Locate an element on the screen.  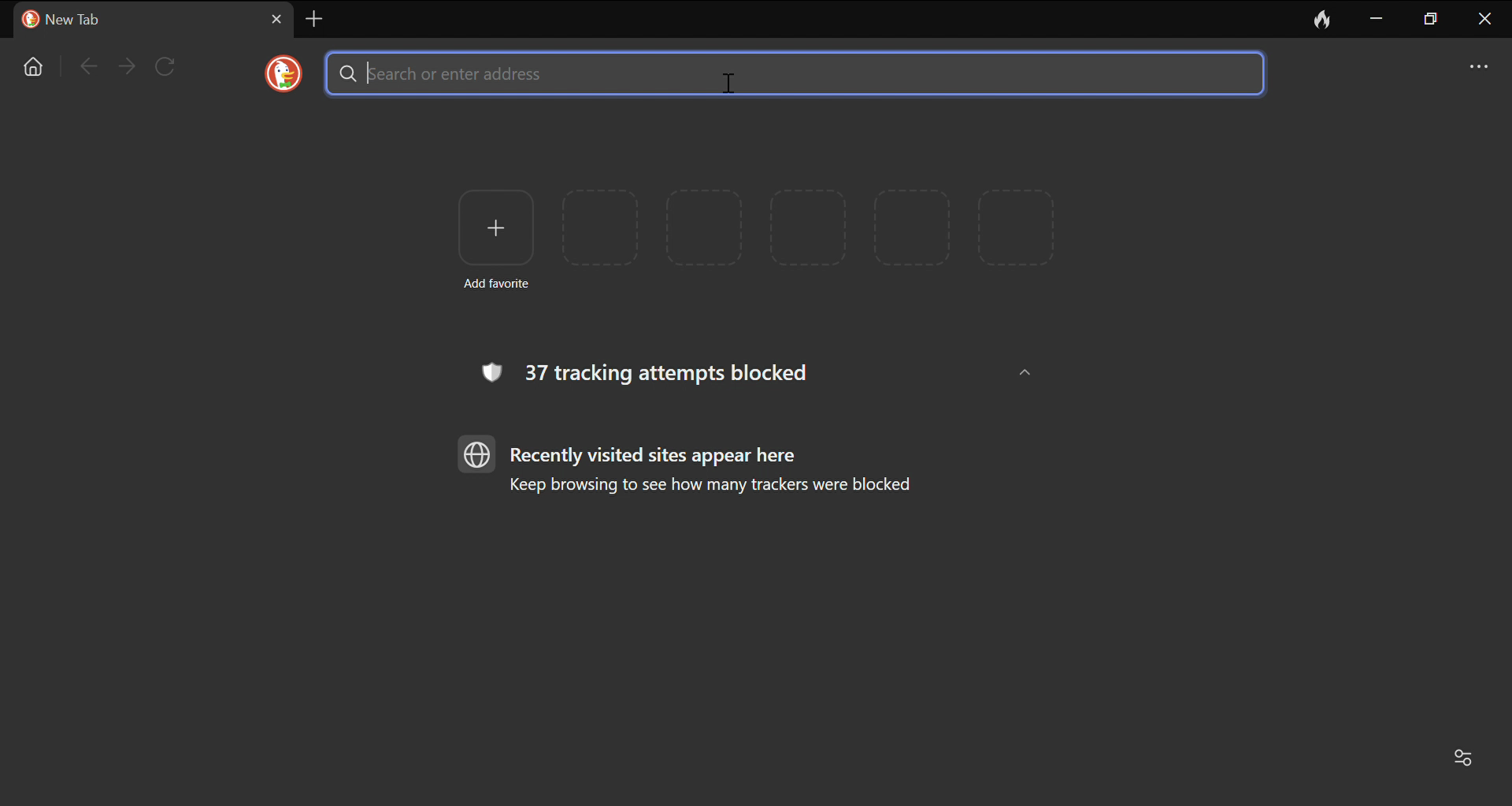
Customize is located at coordinates (1469, 760).